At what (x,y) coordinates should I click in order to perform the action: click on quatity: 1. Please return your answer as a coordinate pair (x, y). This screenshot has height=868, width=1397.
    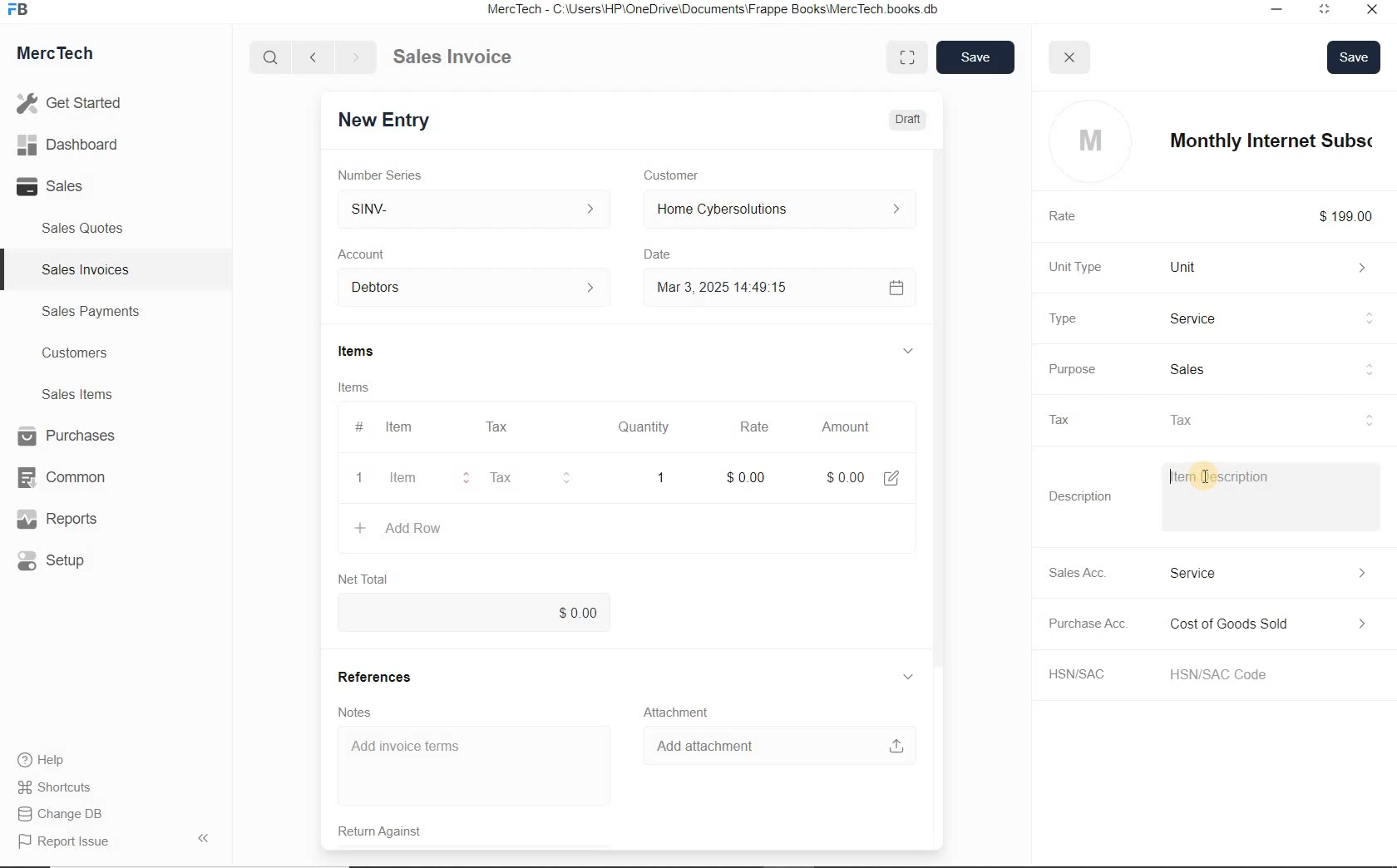
    Looking at the image, I should click on (652, 476).